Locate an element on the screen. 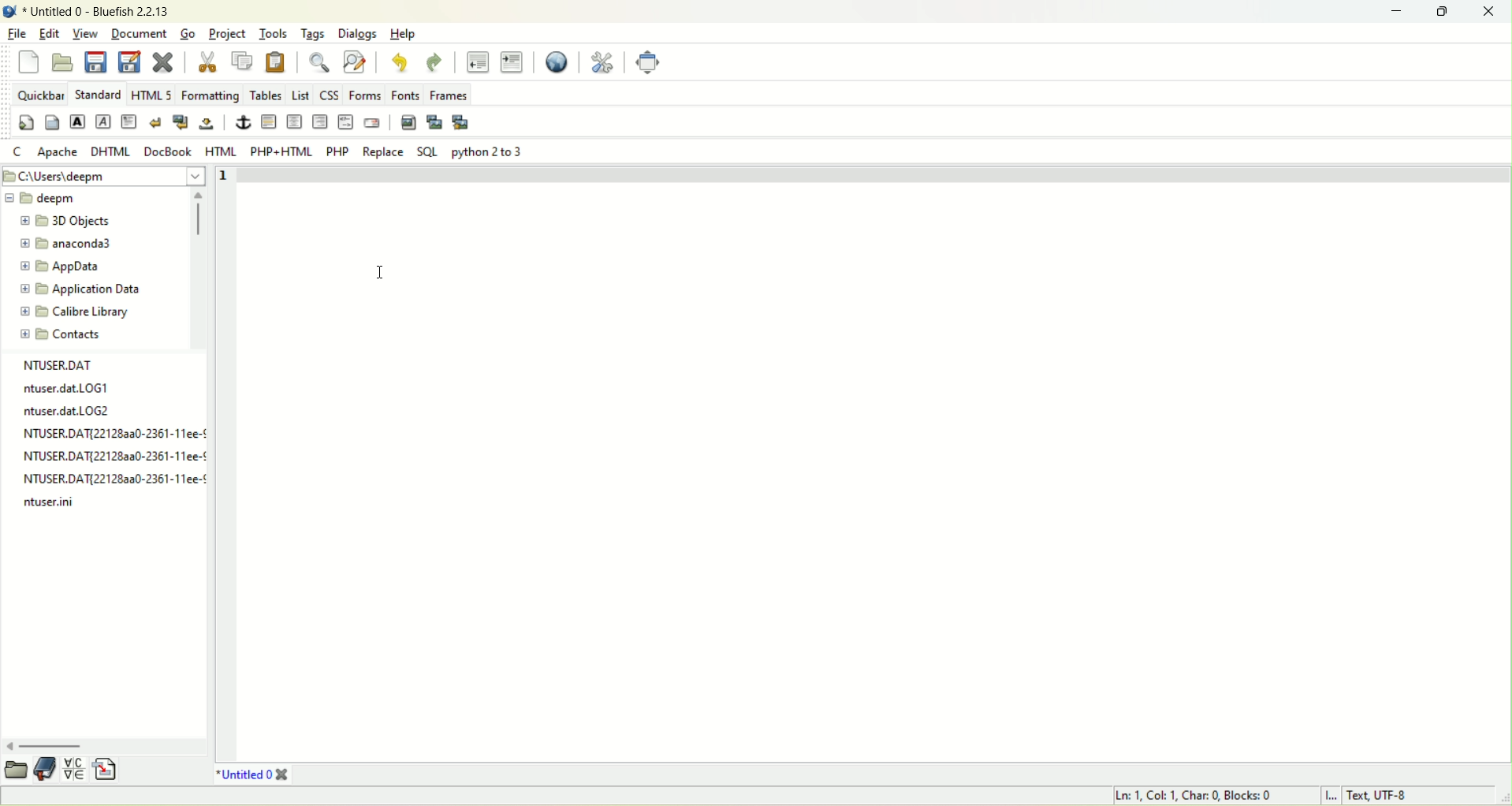 This screenshot has width=1512, height=806. maximize is located at coordinates (1446, 13).